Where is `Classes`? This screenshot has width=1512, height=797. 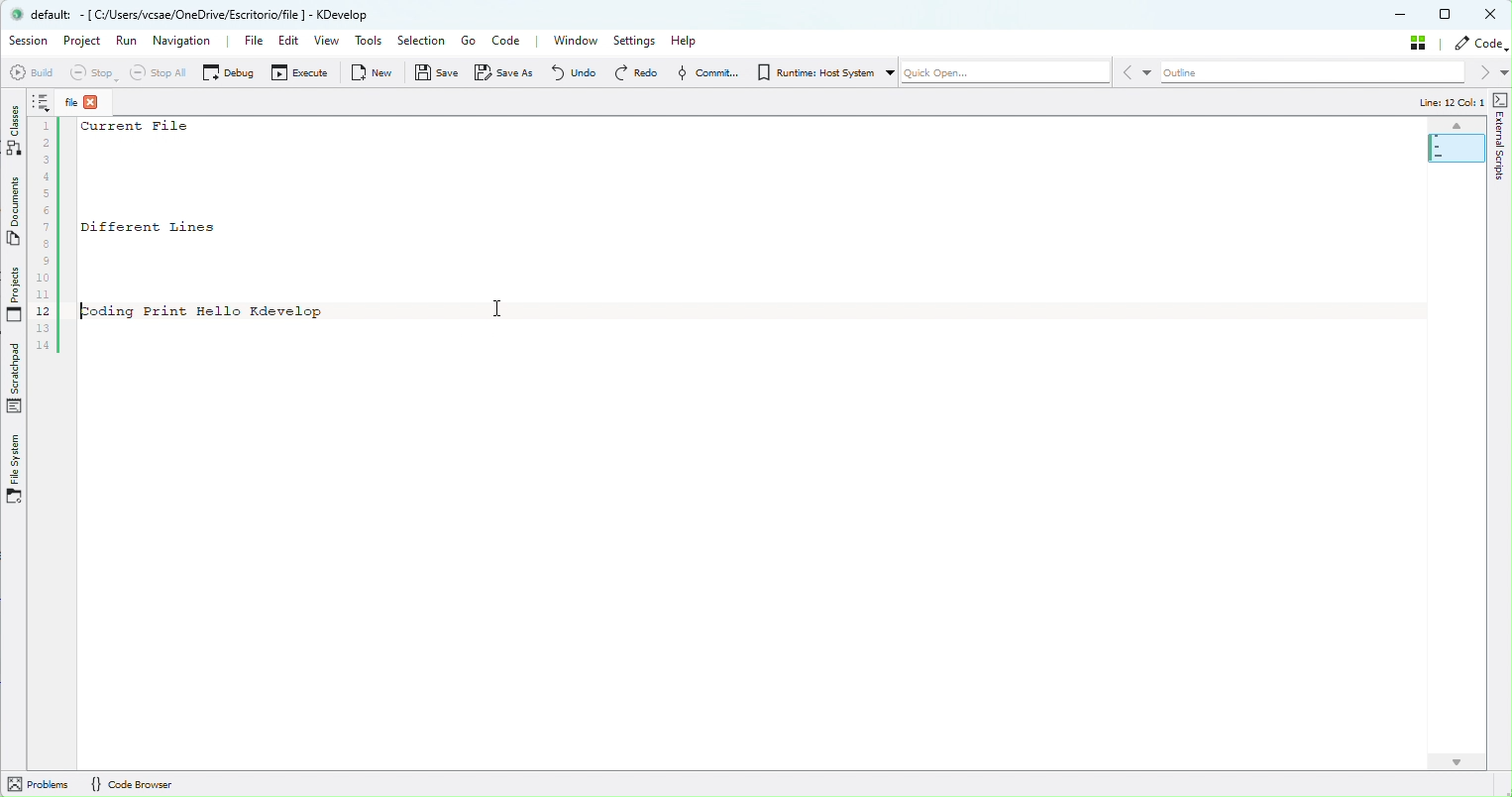 Classes is located at coordinates (12, 131).